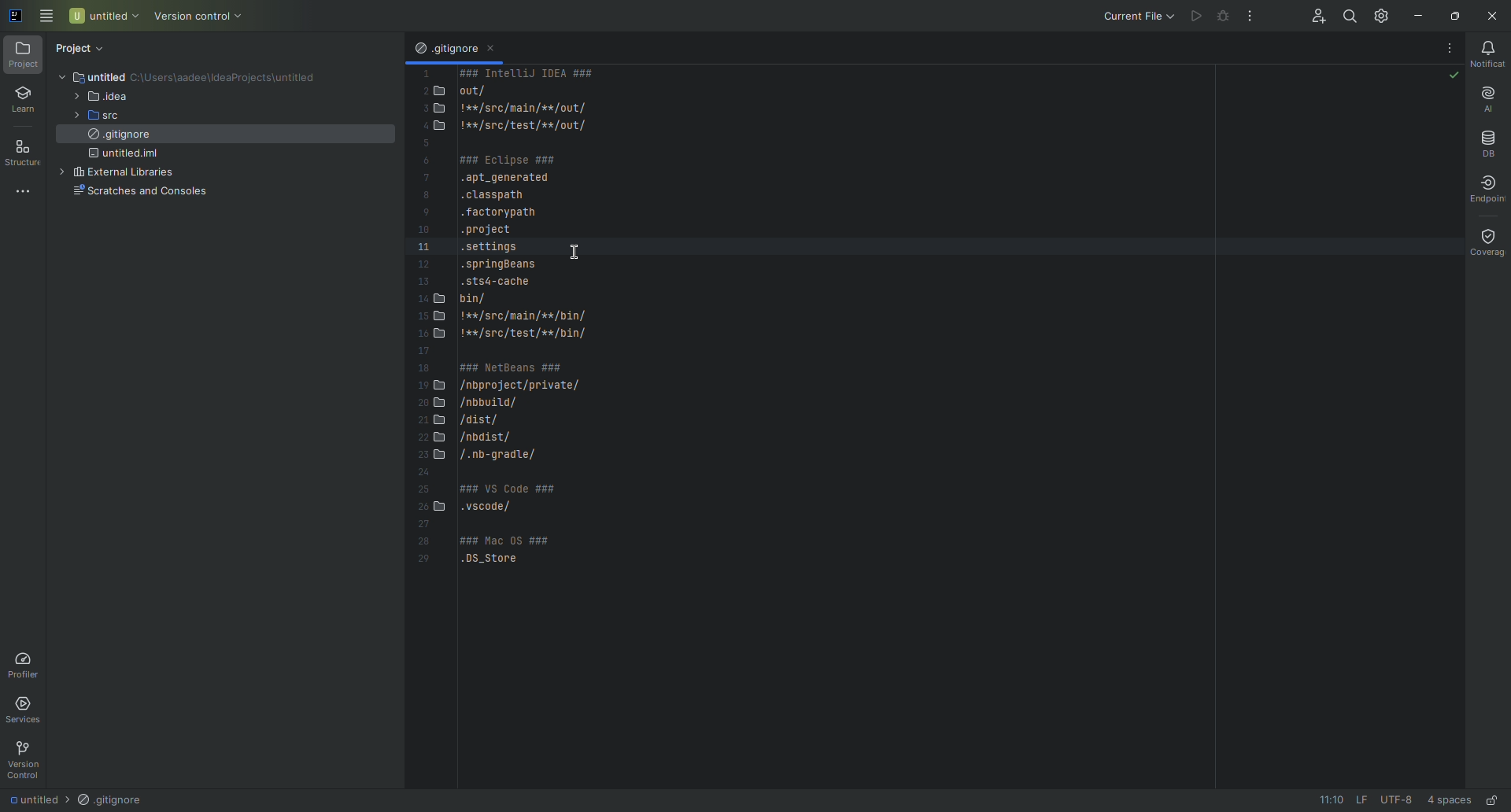  What do you see at coordinates (1308, 15) in the screenshot?
I see `Code With Me` at bounding box center [1308, 15].